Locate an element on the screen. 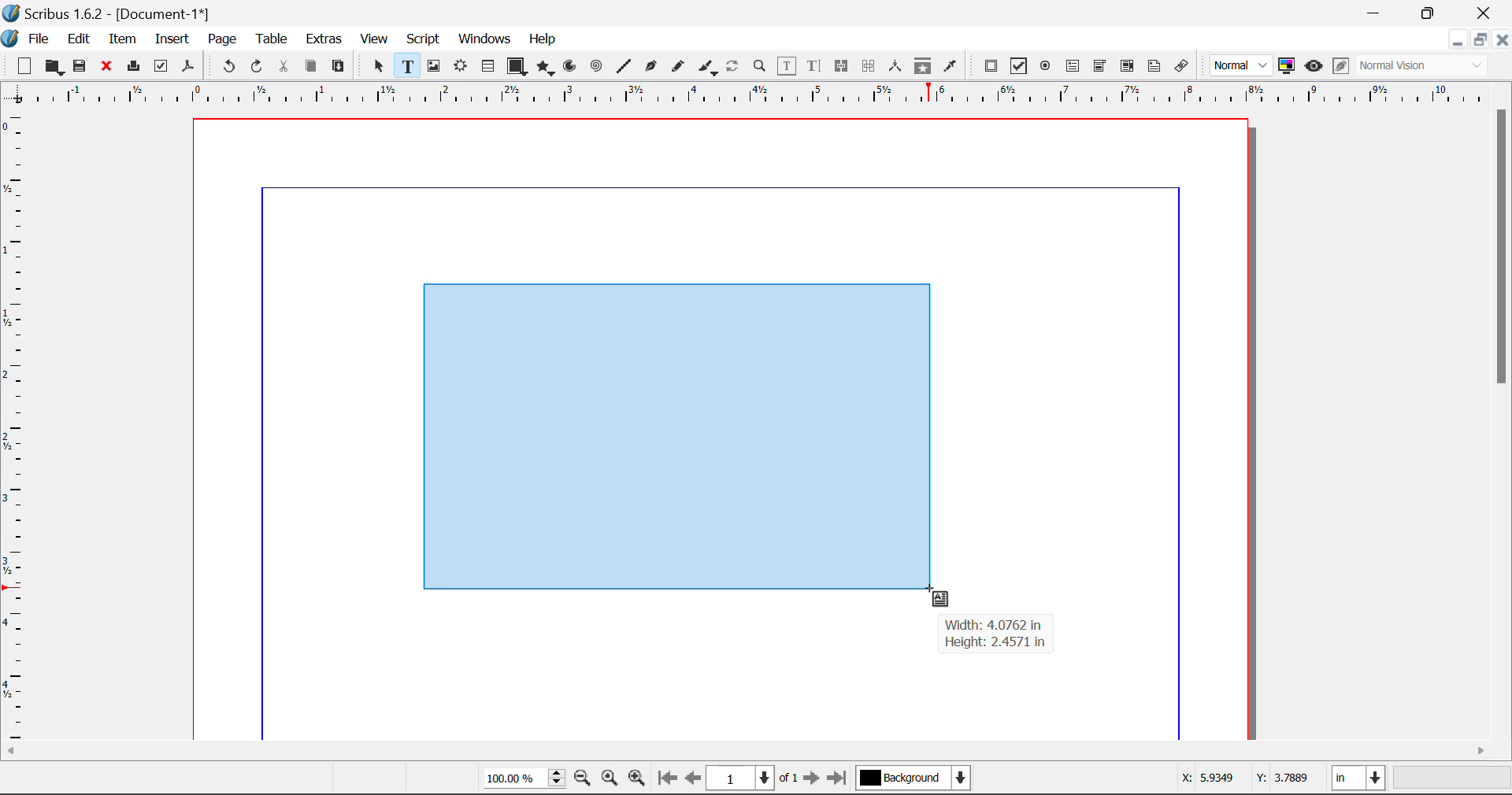 This screenshot has height=795, width=1512. Shapes is located at coordinates (517, 65).